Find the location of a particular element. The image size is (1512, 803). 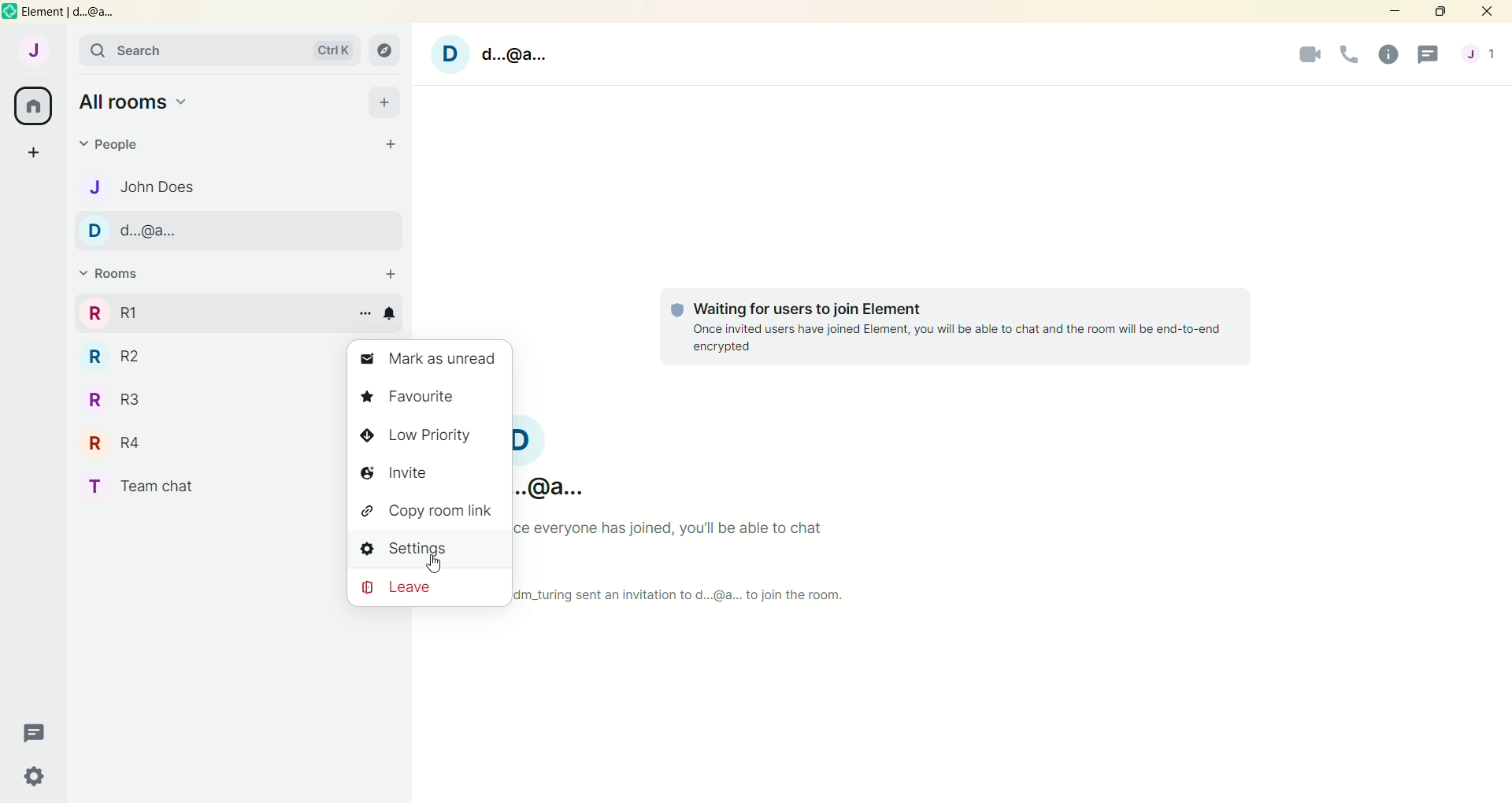

bell icon is located at coordinates (394, 313).